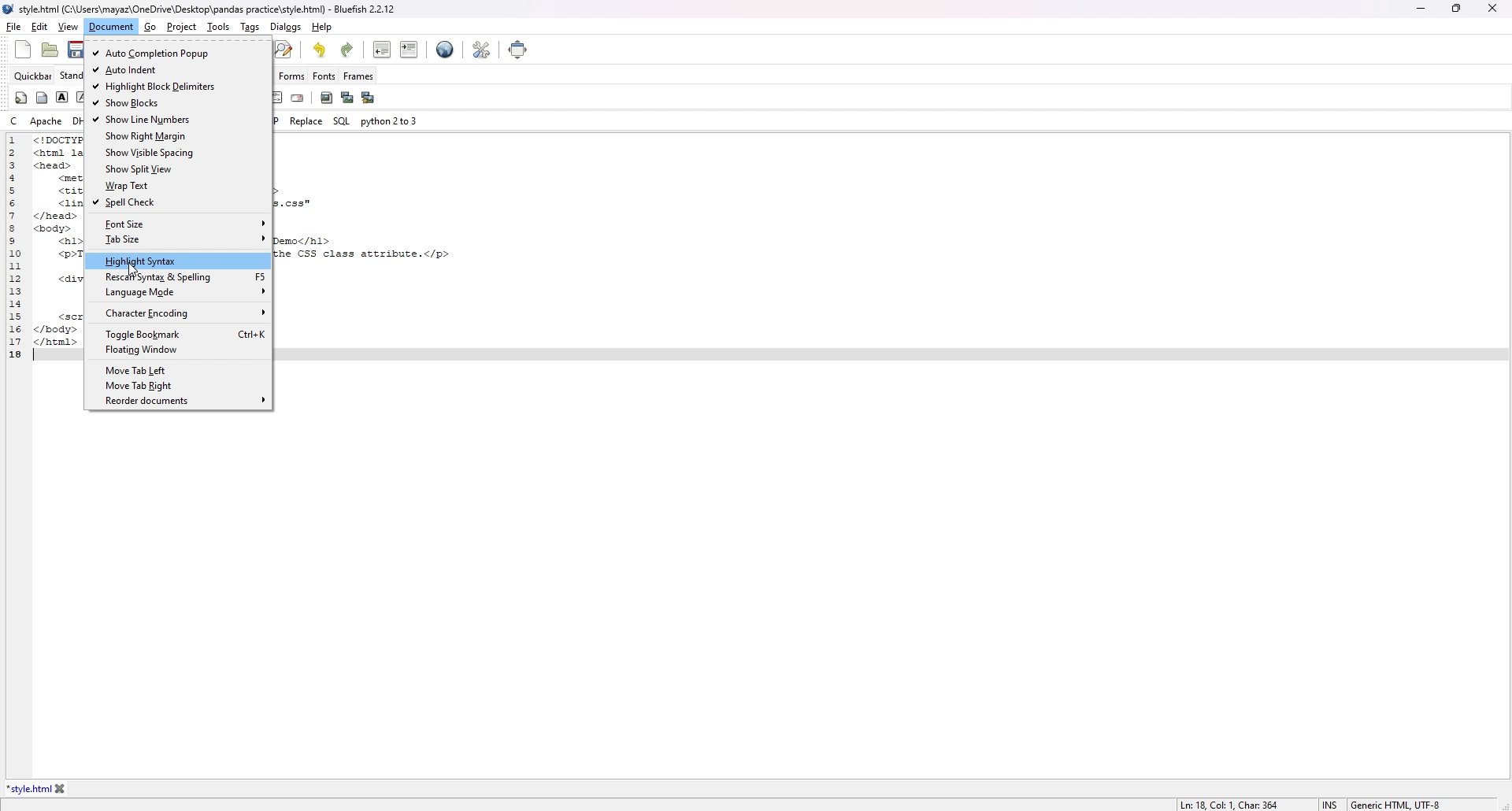  I want to click on encoding, so click(1399, 803).